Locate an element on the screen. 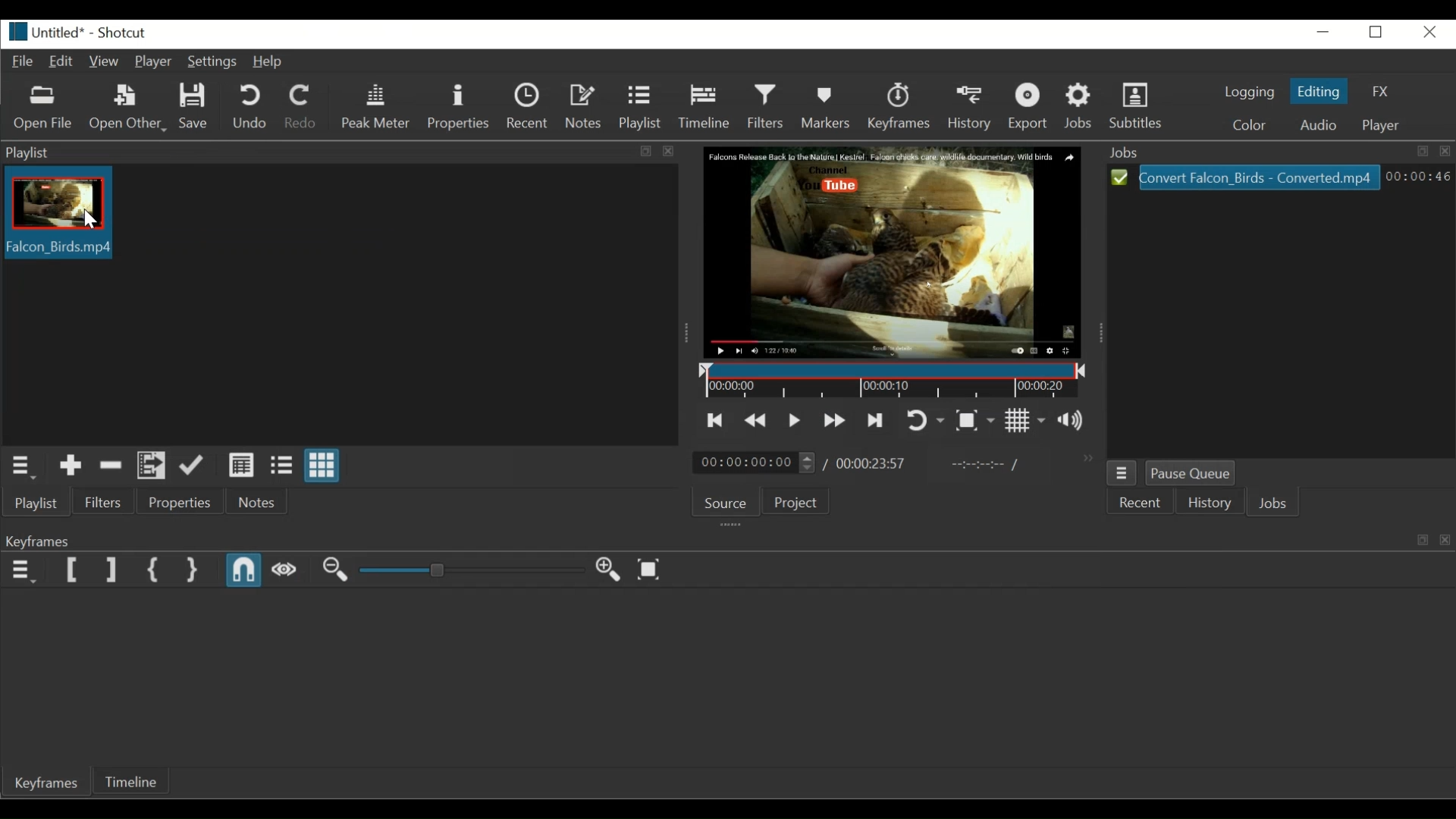 This screenshot has width=1456, height=819. Toggle grid display on the player is located at coordinates (1026, 422).